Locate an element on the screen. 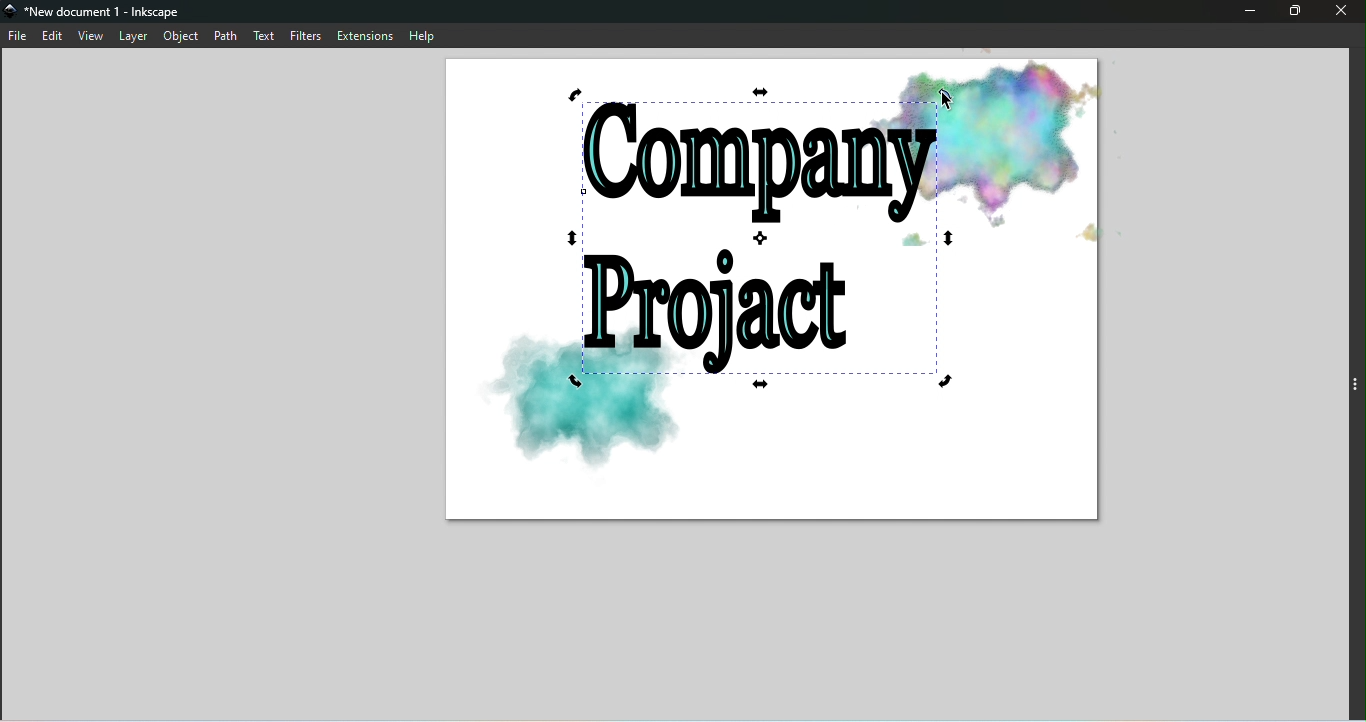  Filters is located at coordinates (309, 34).